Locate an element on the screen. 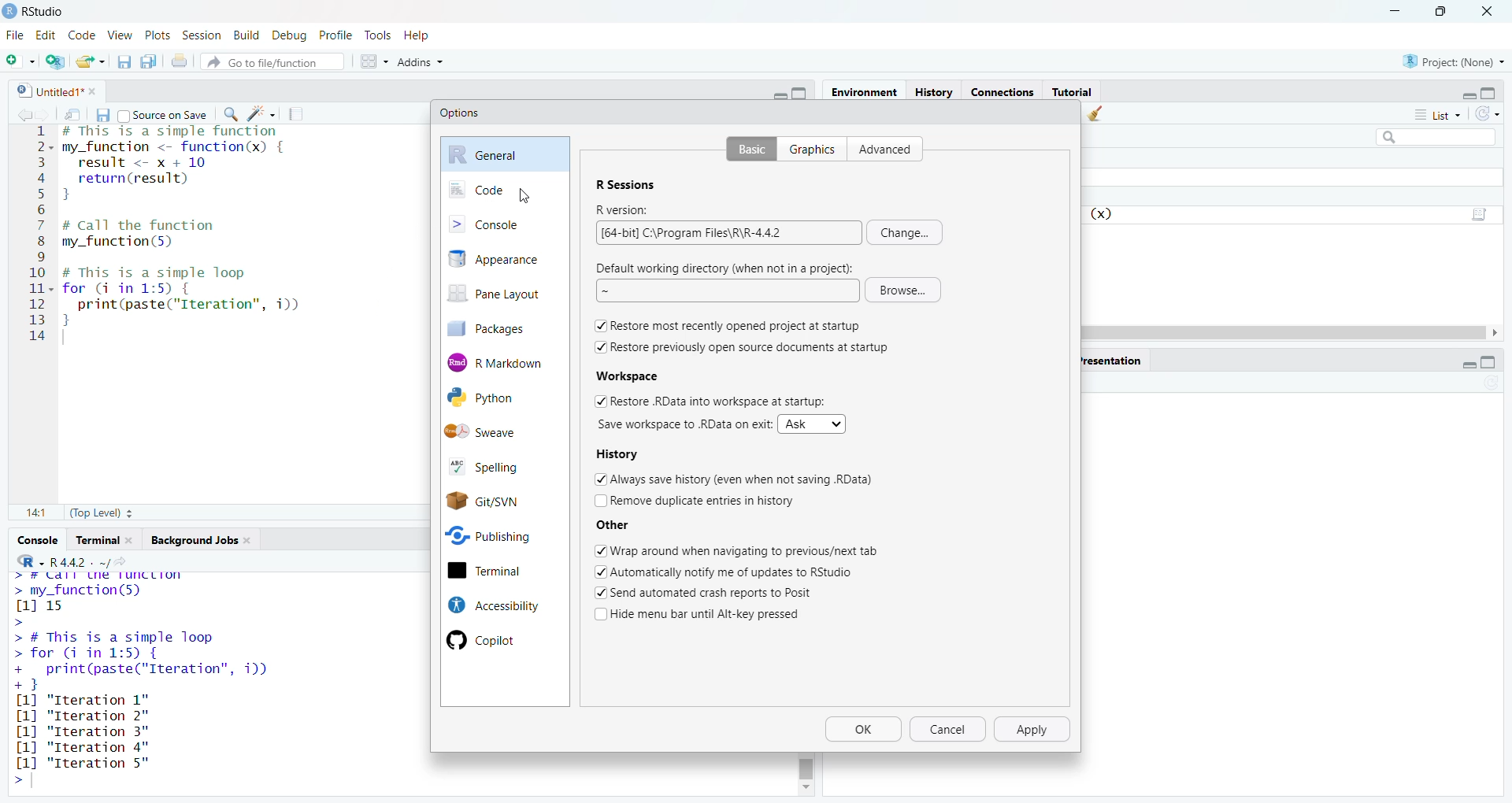  clear objects from the workspace is located at coordinates (1098, 115).